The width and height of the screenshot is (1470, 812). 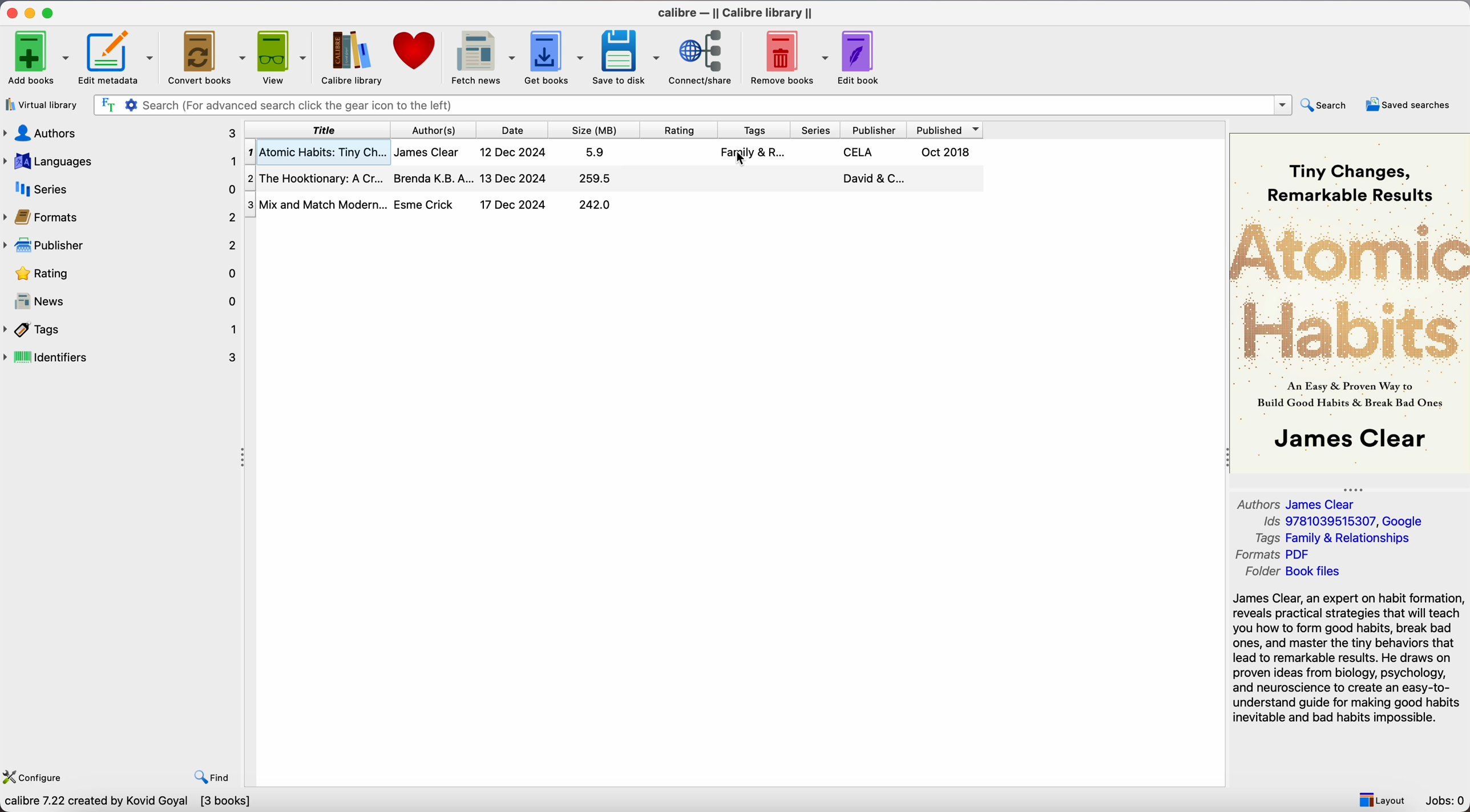 What do you see at coordinates (875, 130) in the screenshot?
I see `publisher` at bounding box center [875, 130].